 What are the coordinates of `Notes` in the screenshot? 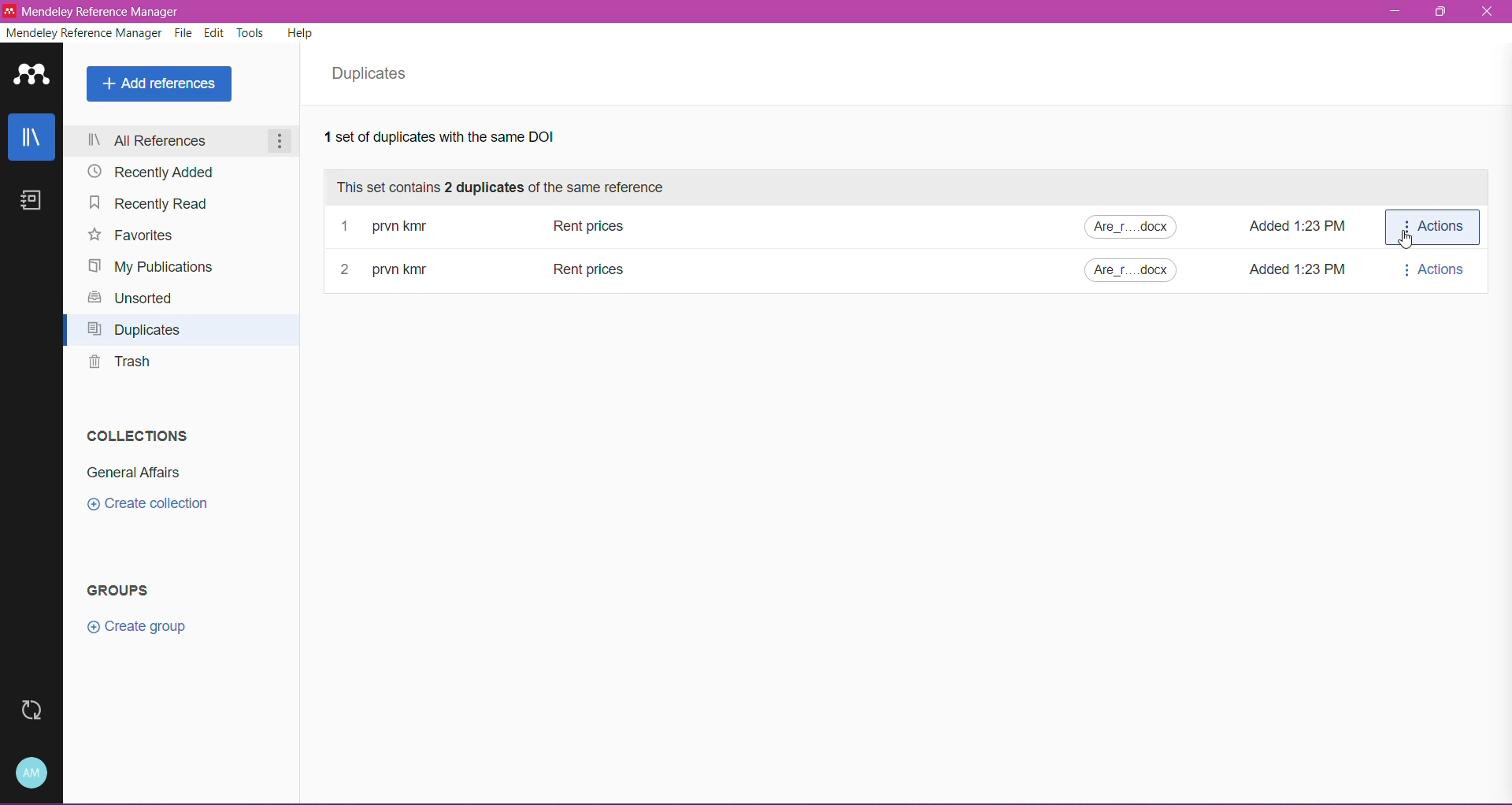 It's located at (35, 202).